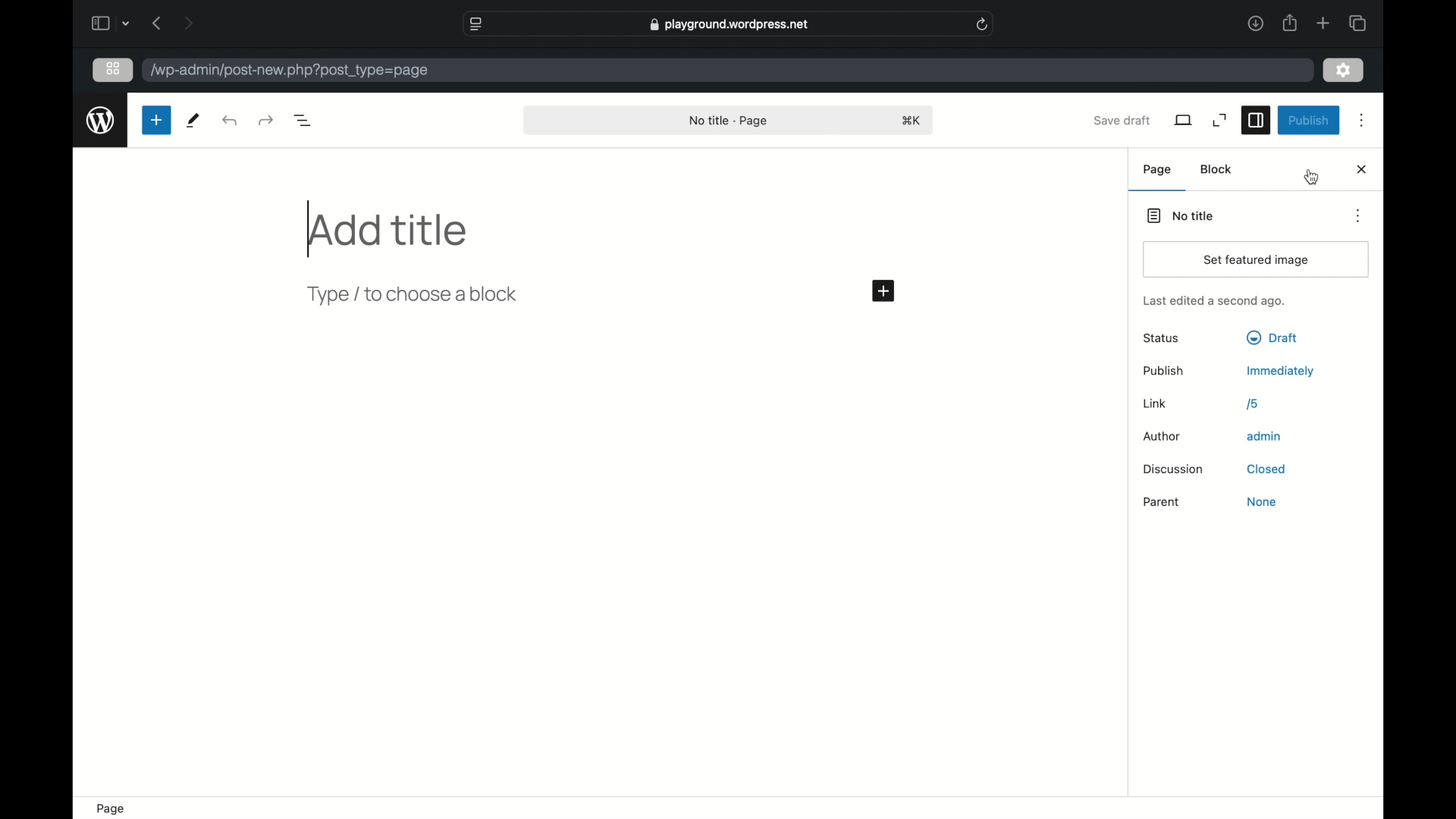 This screenshot has height=819, width=1456. What do you see at coordinates (1257, 260) in the screenshot?
I see `set featured image` at bounding box center [1257, 260].